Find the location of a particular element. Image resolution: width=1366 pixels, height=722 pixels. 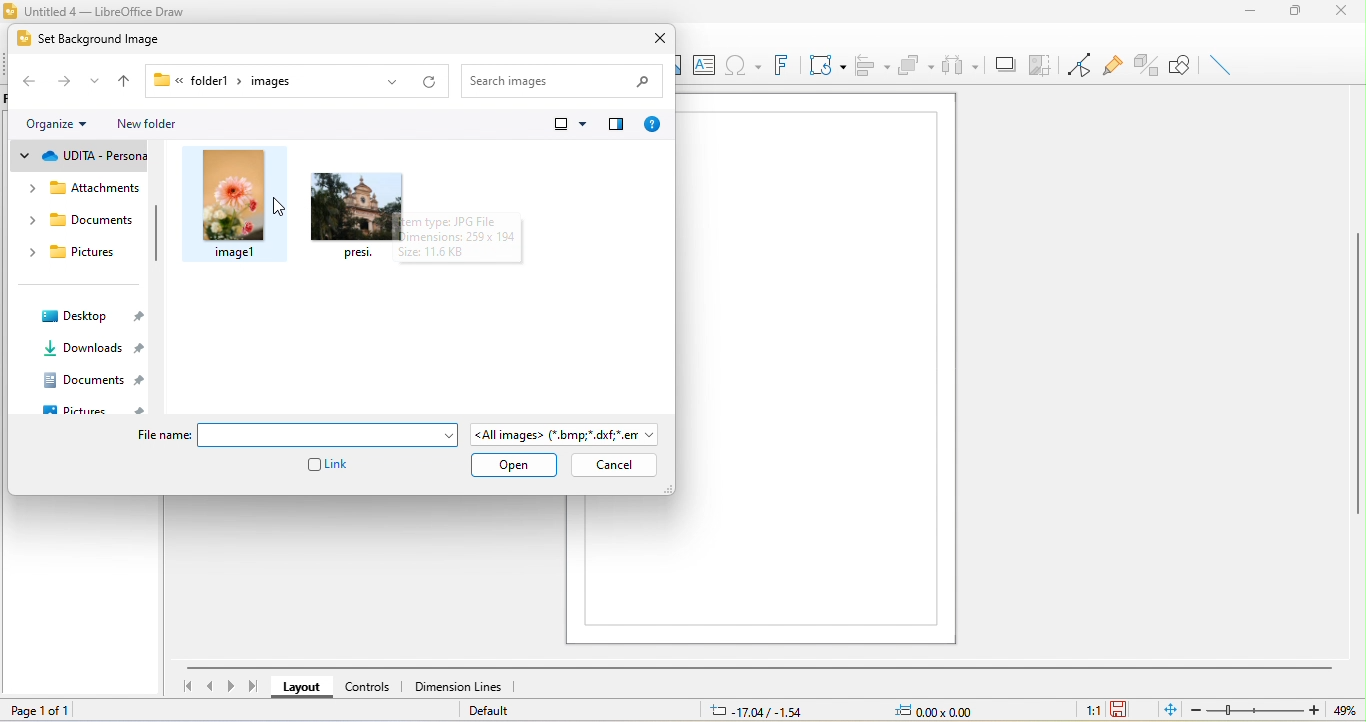

up to is located at coordinates (123, 83).